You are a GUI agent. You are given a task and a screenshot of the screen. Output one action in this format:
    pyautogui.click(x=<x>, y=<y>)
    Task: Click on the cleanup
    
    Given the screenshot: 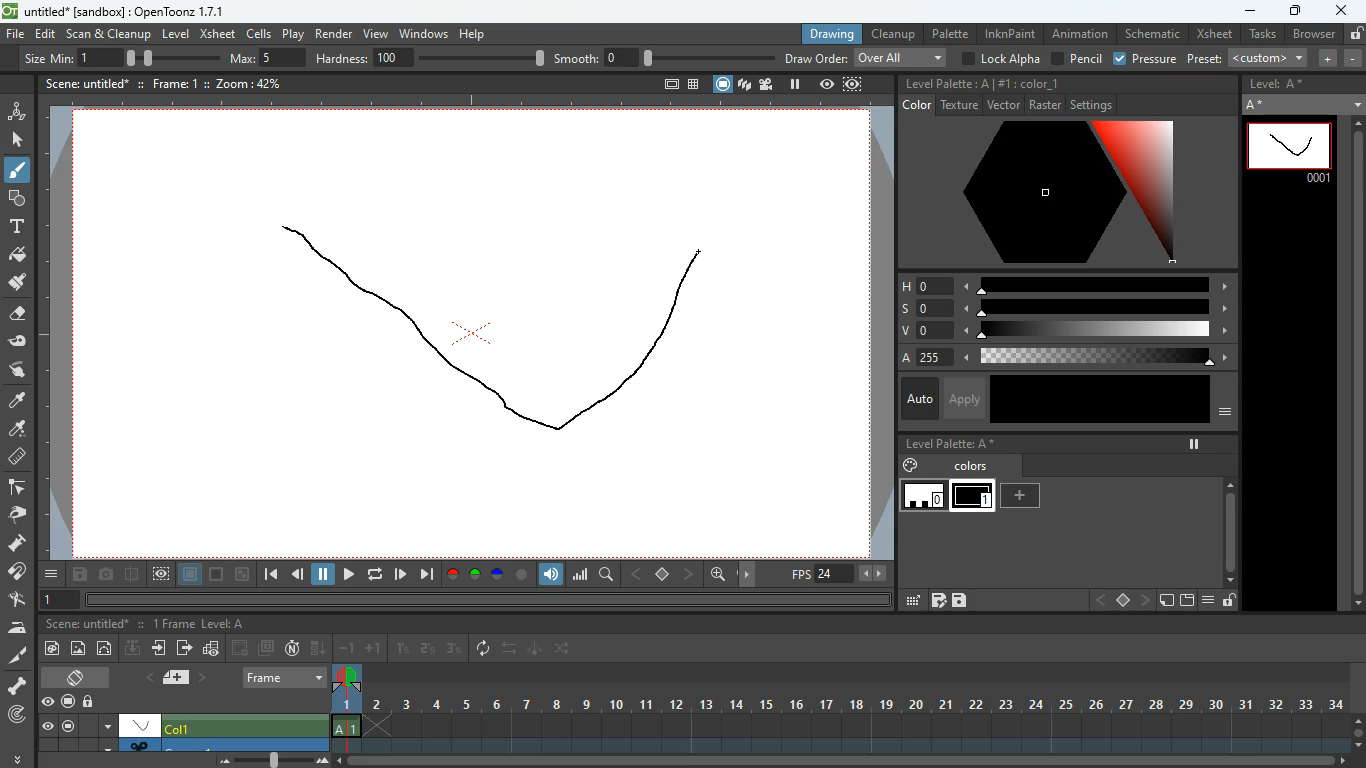 What is the action you would take?
    pyautogui.click(x=894, y=33)
    